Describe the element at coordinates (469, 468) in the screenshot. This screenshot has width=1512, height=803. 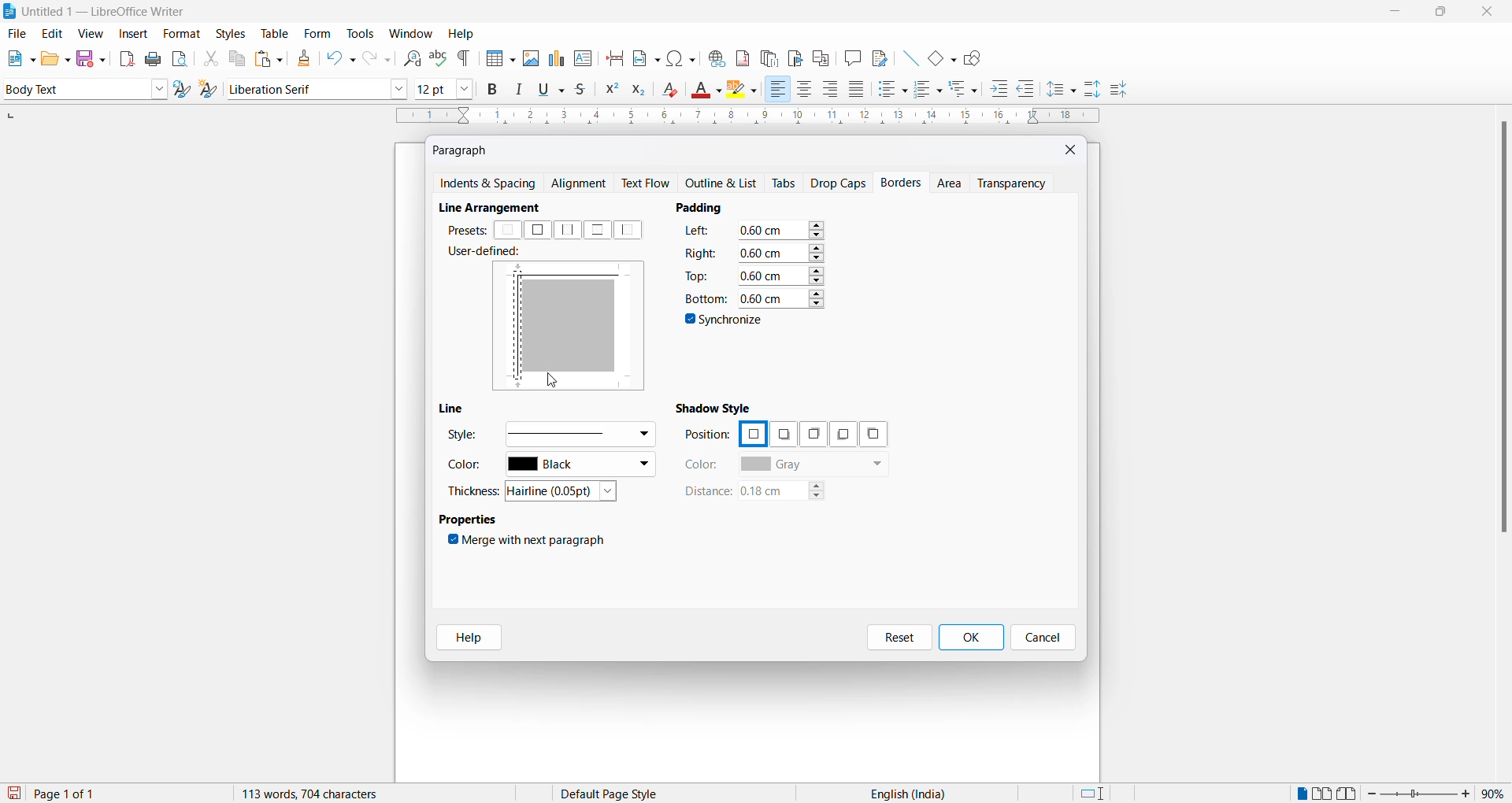
I see `color` at that location.